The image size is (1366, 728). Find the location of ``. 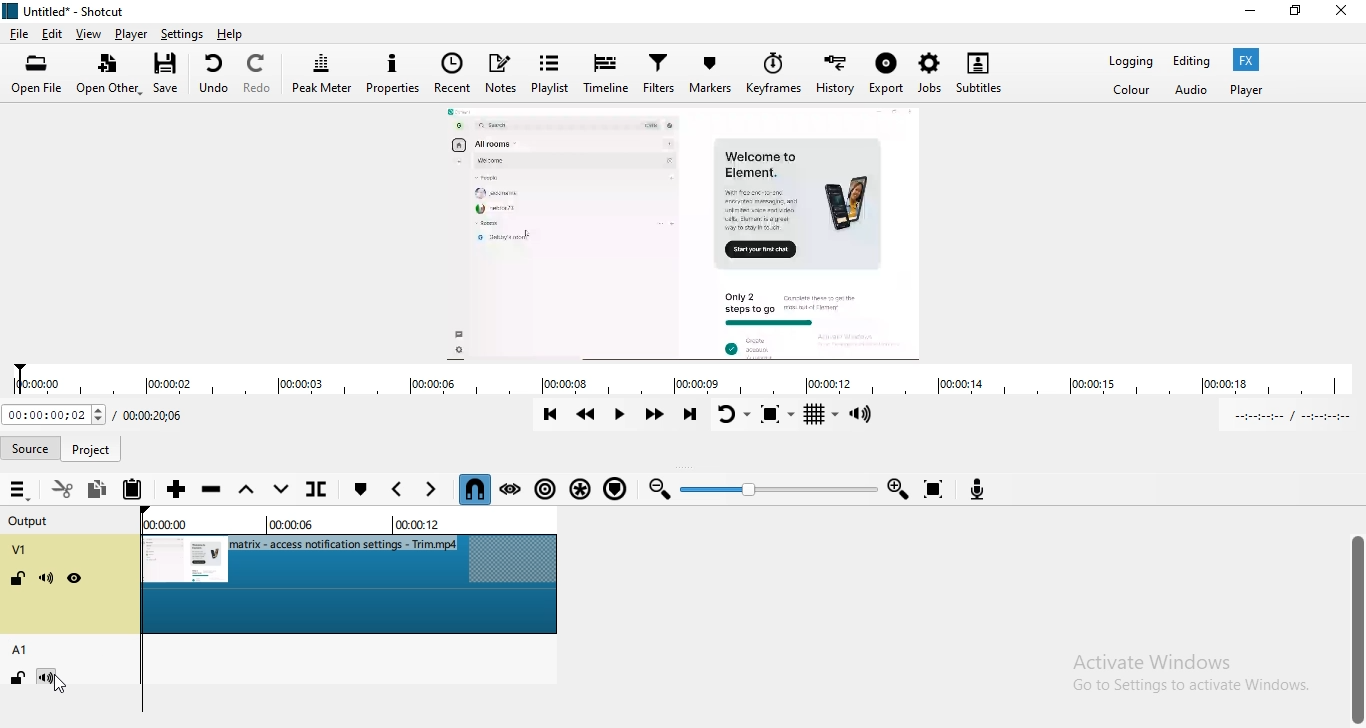

 is located at coordinates (51, 676).